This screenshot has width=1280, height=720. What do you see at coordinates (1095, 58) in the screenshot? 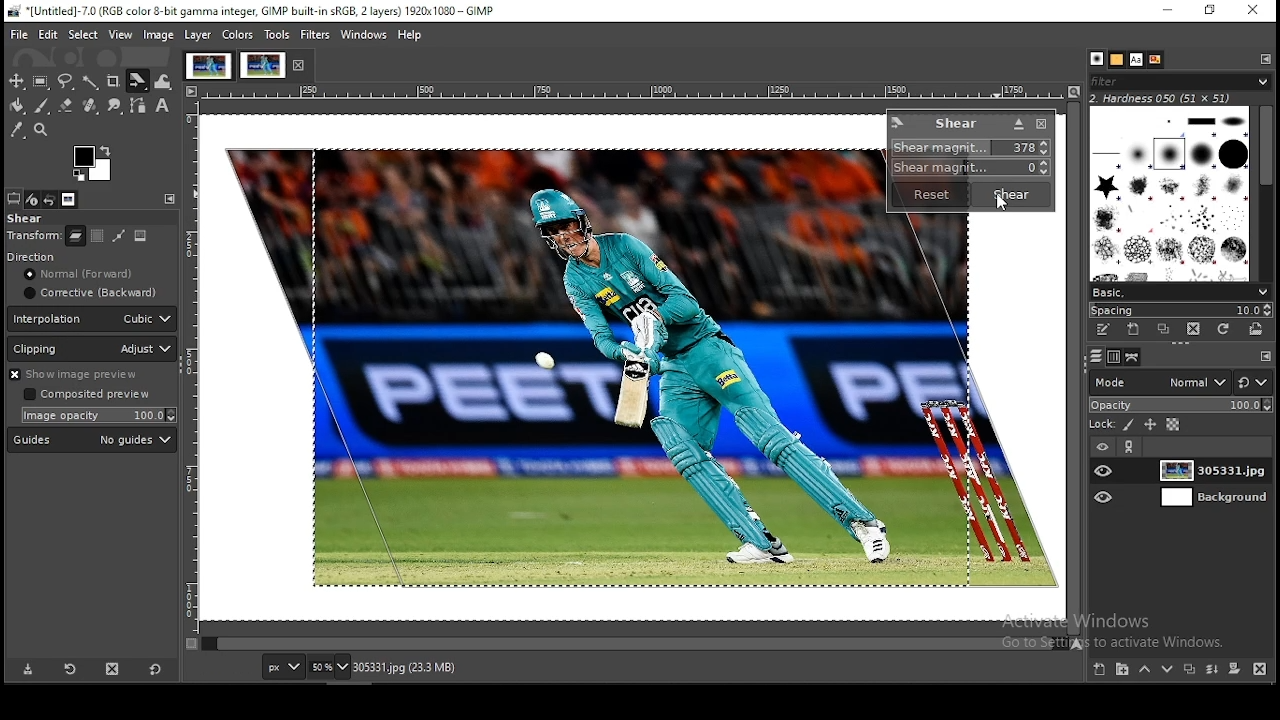
I see `patterns` at bounding box center [1095, 58].